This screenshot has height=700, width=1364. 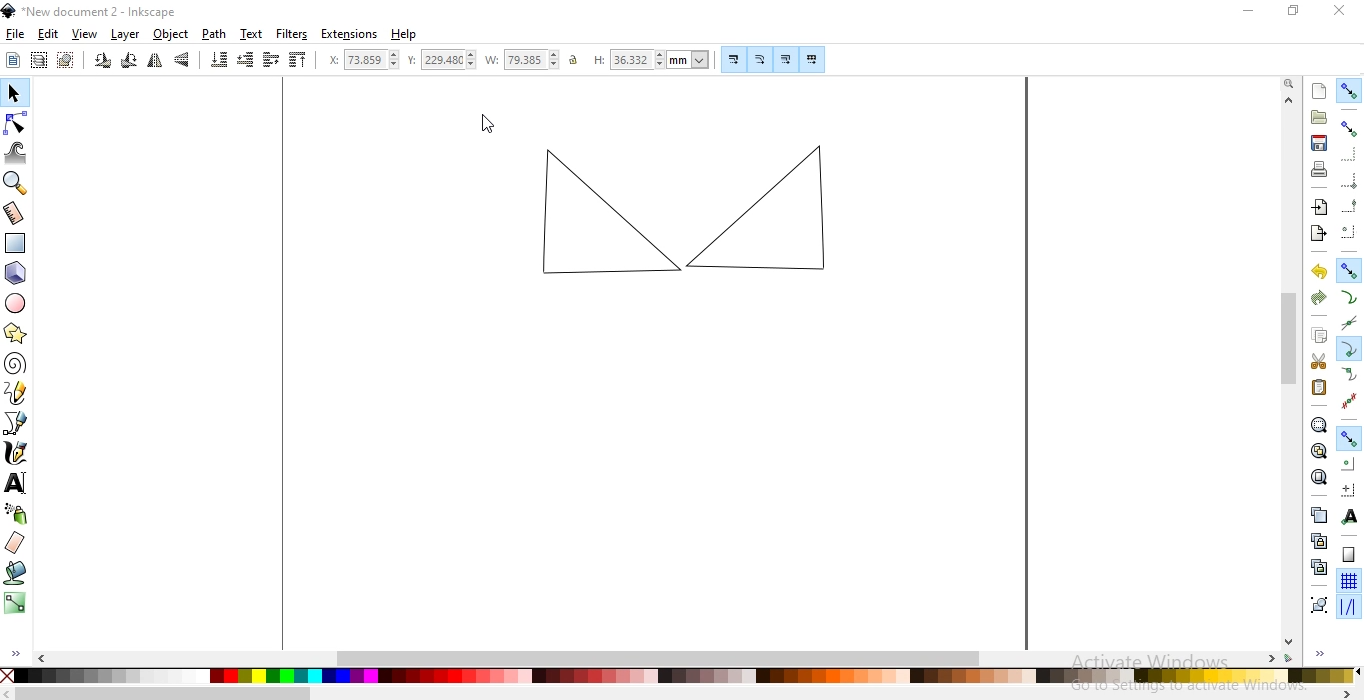 What do you see at coordinates (443, 59) in the screenshot?
I see `vertical coordinate of selection` at bounding box center [443, 59].